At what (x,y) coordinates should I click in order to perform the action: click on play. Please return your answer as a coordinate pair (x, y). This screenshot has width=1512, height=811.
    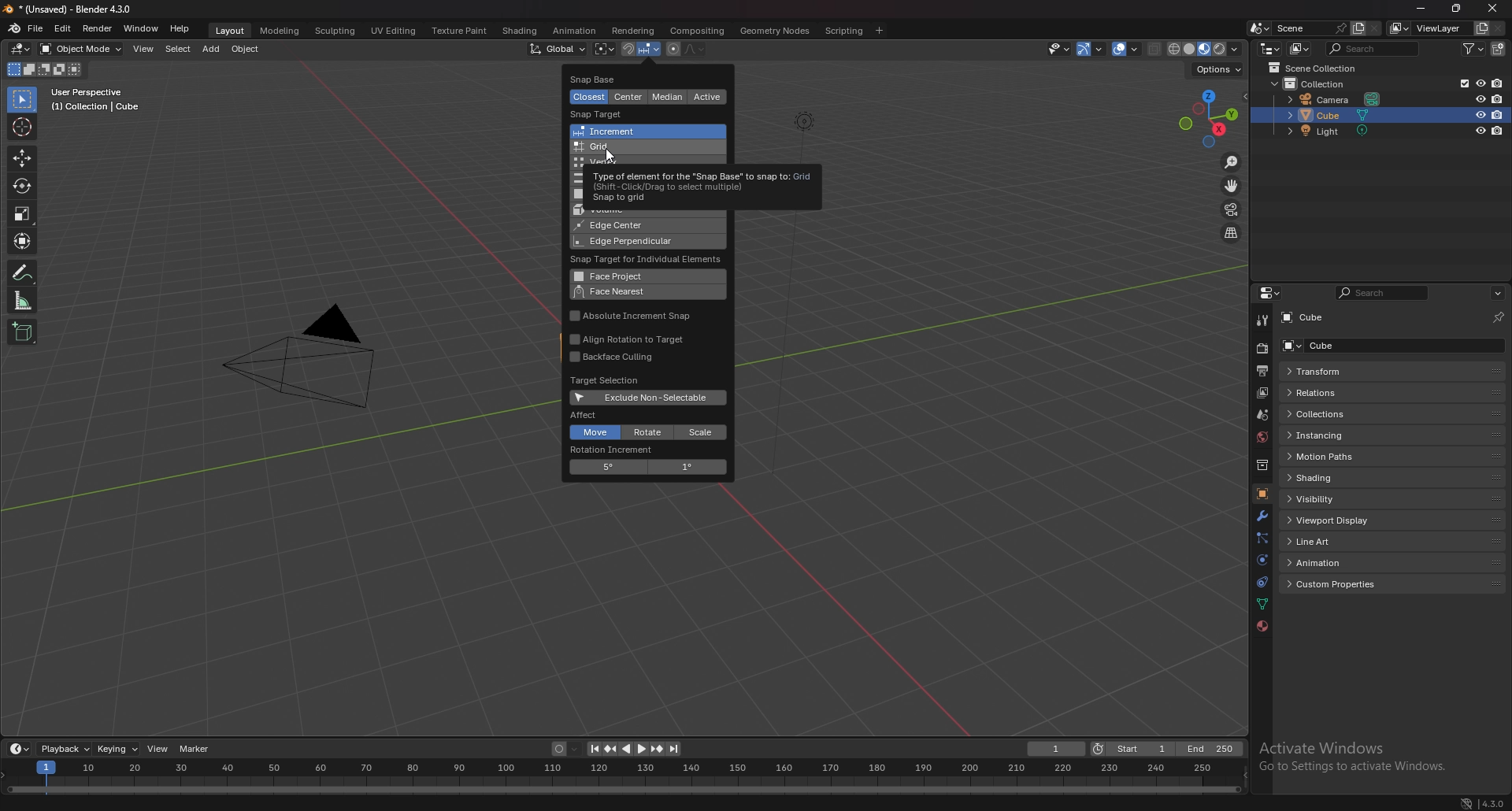
    Looking at the image, I should click on (634, 749).